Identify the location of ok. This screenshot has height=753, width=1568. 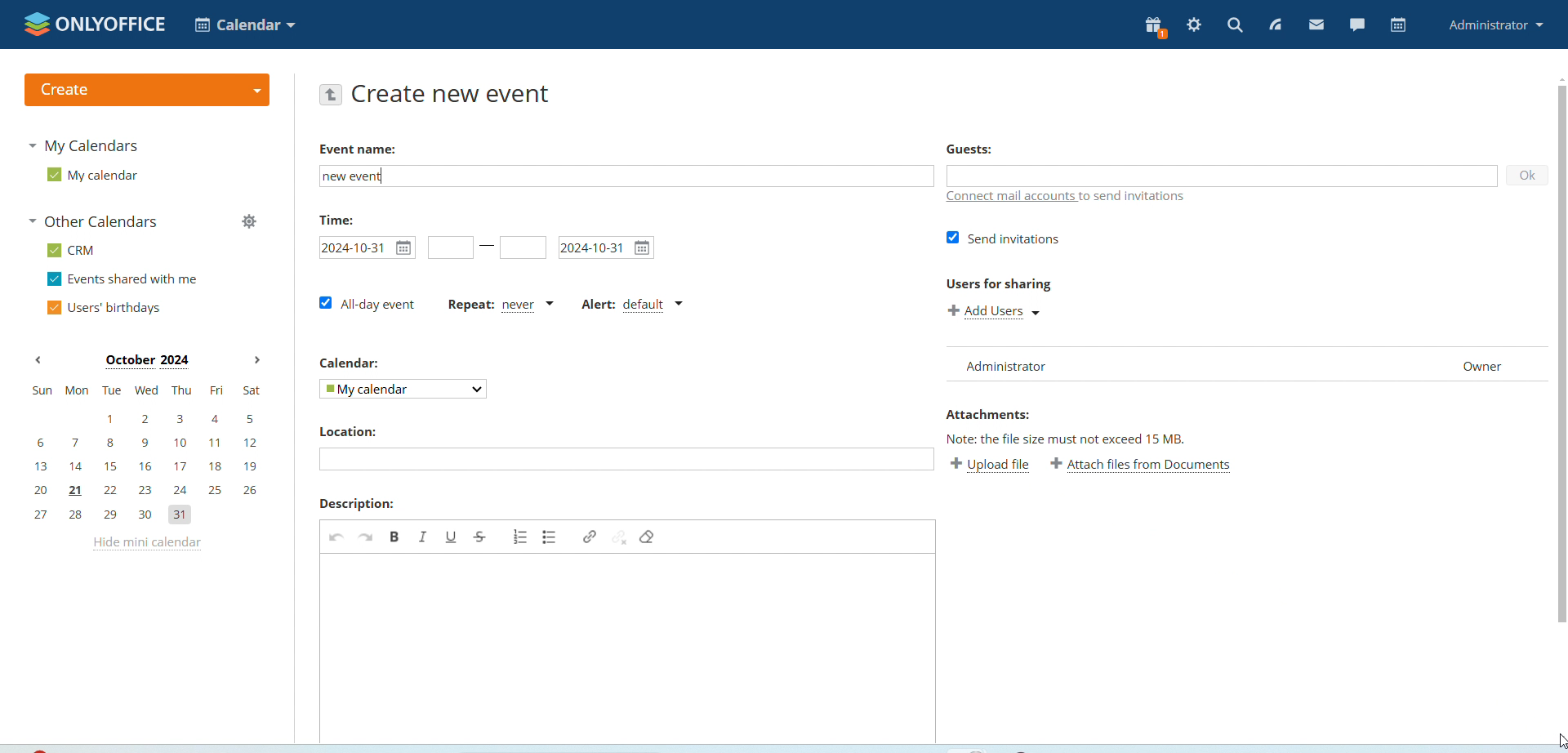
(1526, 176).